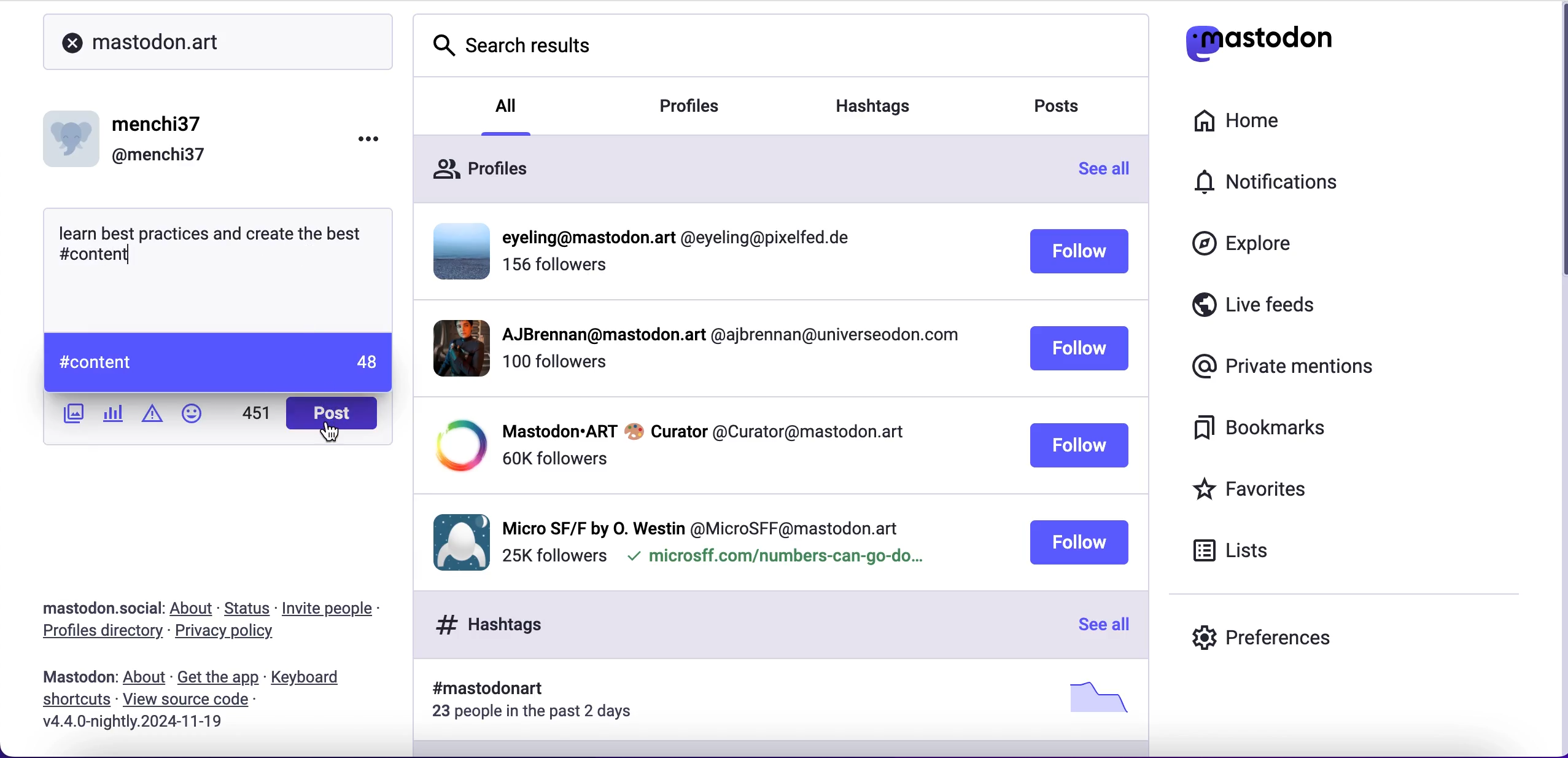 Image resolution: width=1568 pixels, height=758 pixels. What do you see at coordinates (130, 261) in the screenshot?
I see `typing cursor` at bounding box center [130, 261].